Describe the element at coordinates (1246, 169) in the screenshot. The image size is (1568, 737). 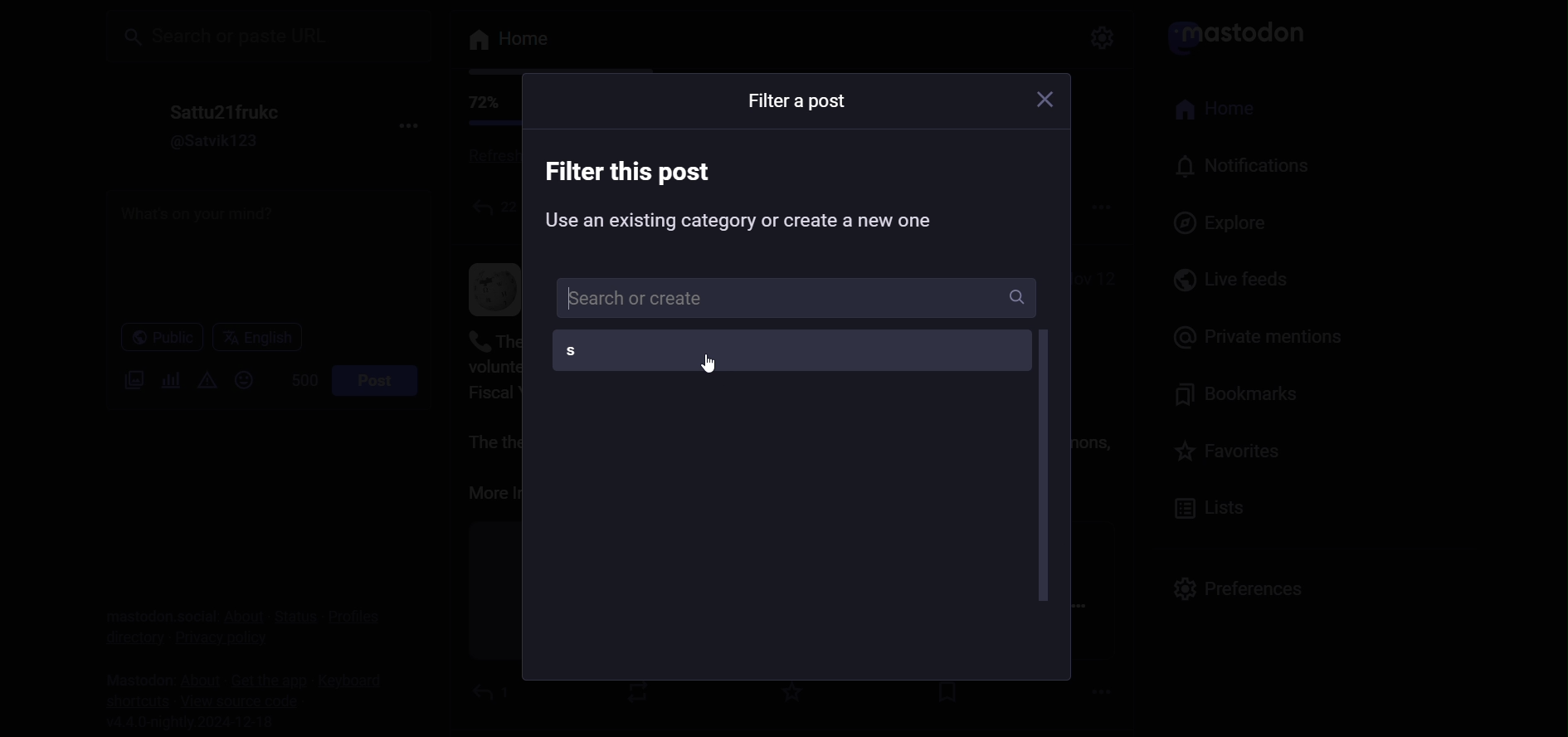
I see `notification` at that location.